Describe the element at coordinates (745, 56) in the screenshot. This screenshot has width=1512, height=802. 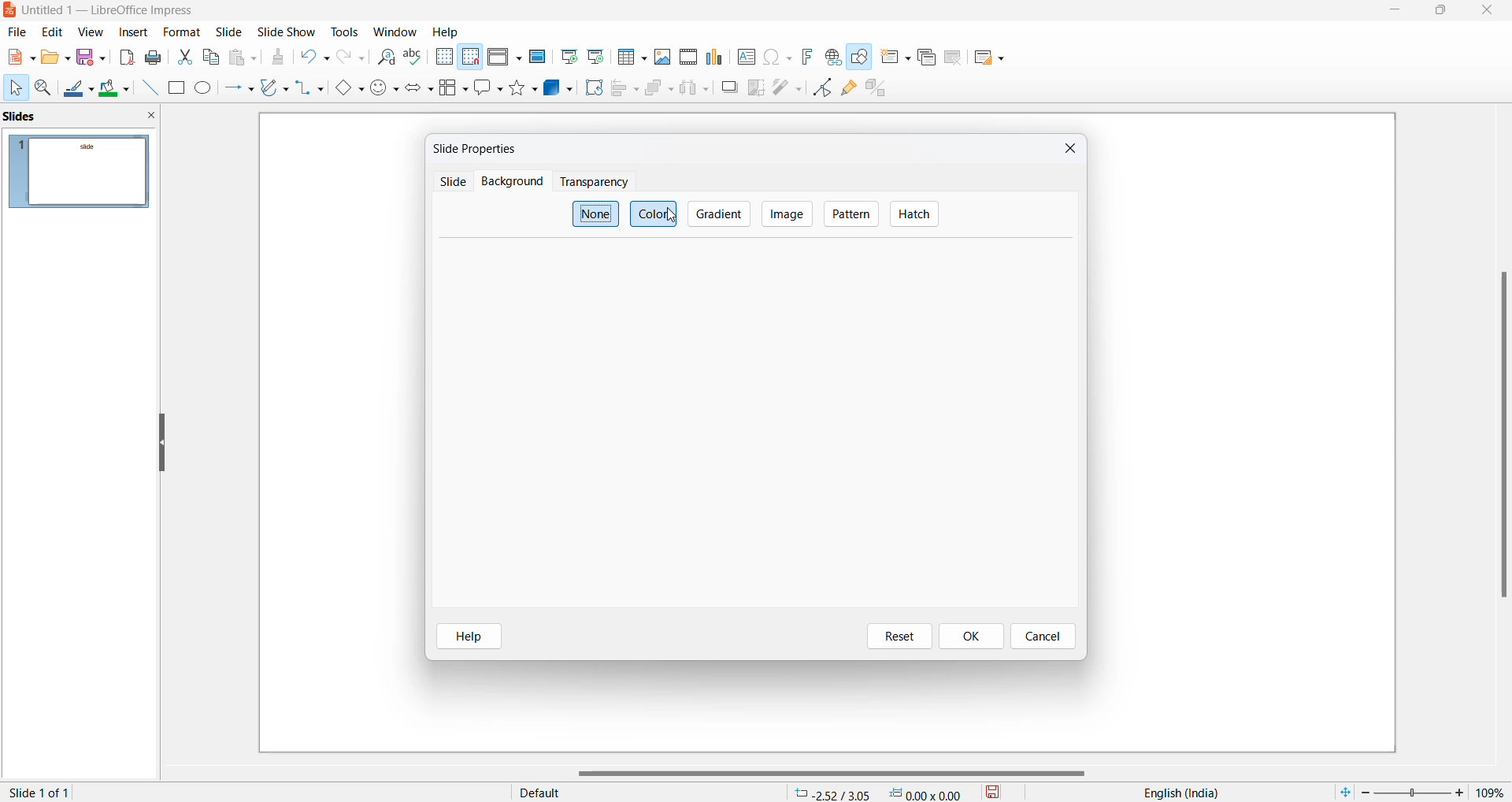
I see `insert text` at that location.